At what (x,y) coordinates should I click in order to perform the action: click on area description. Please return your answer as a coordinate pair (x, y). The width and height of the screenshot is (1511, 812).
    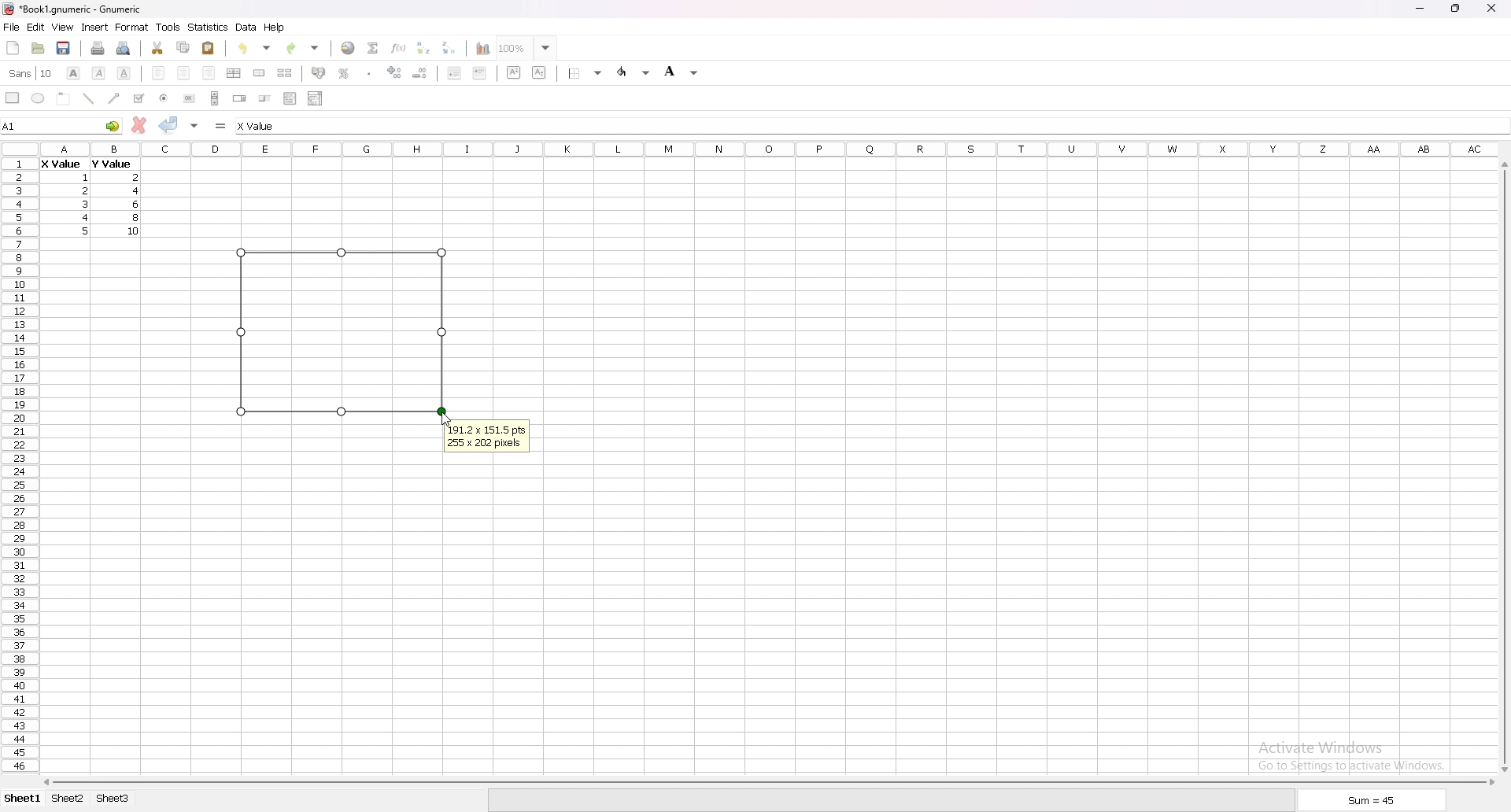
    Looking at the image, I should click on (487, 437).